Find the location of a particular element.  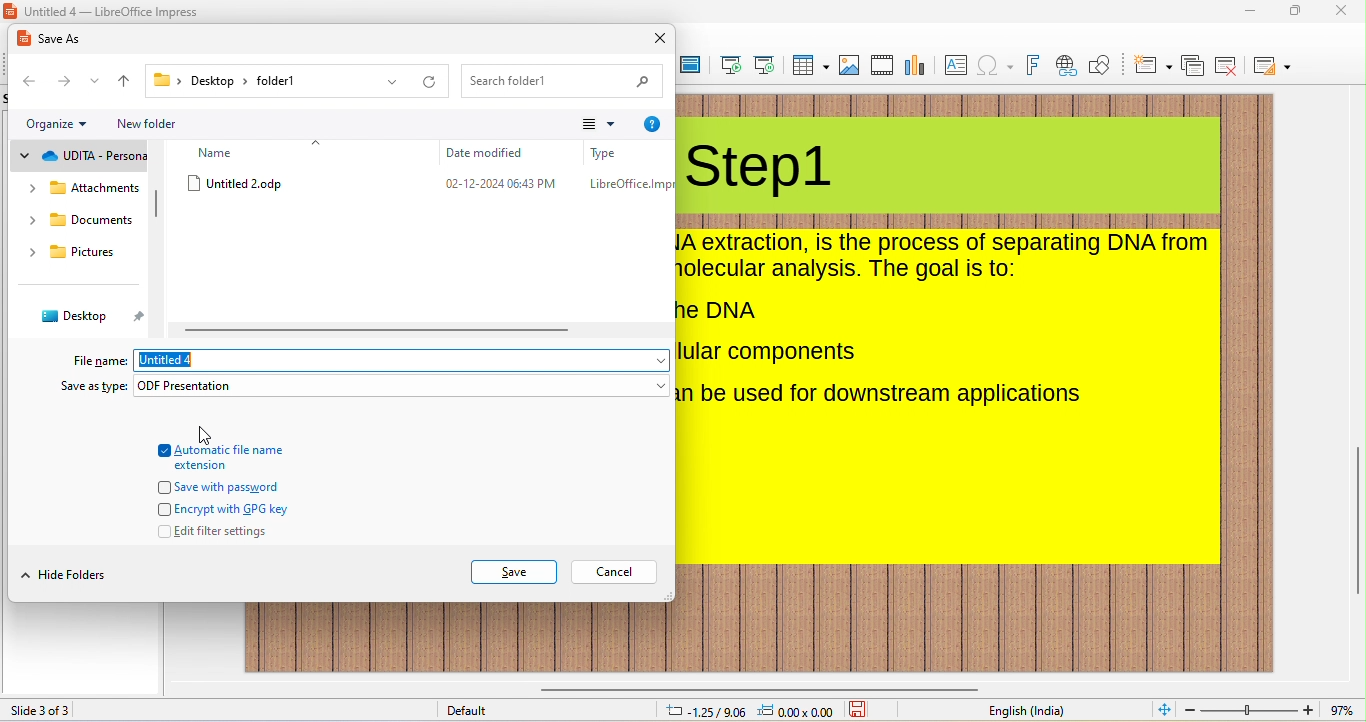

97% is located at coordinates (1342, 710).